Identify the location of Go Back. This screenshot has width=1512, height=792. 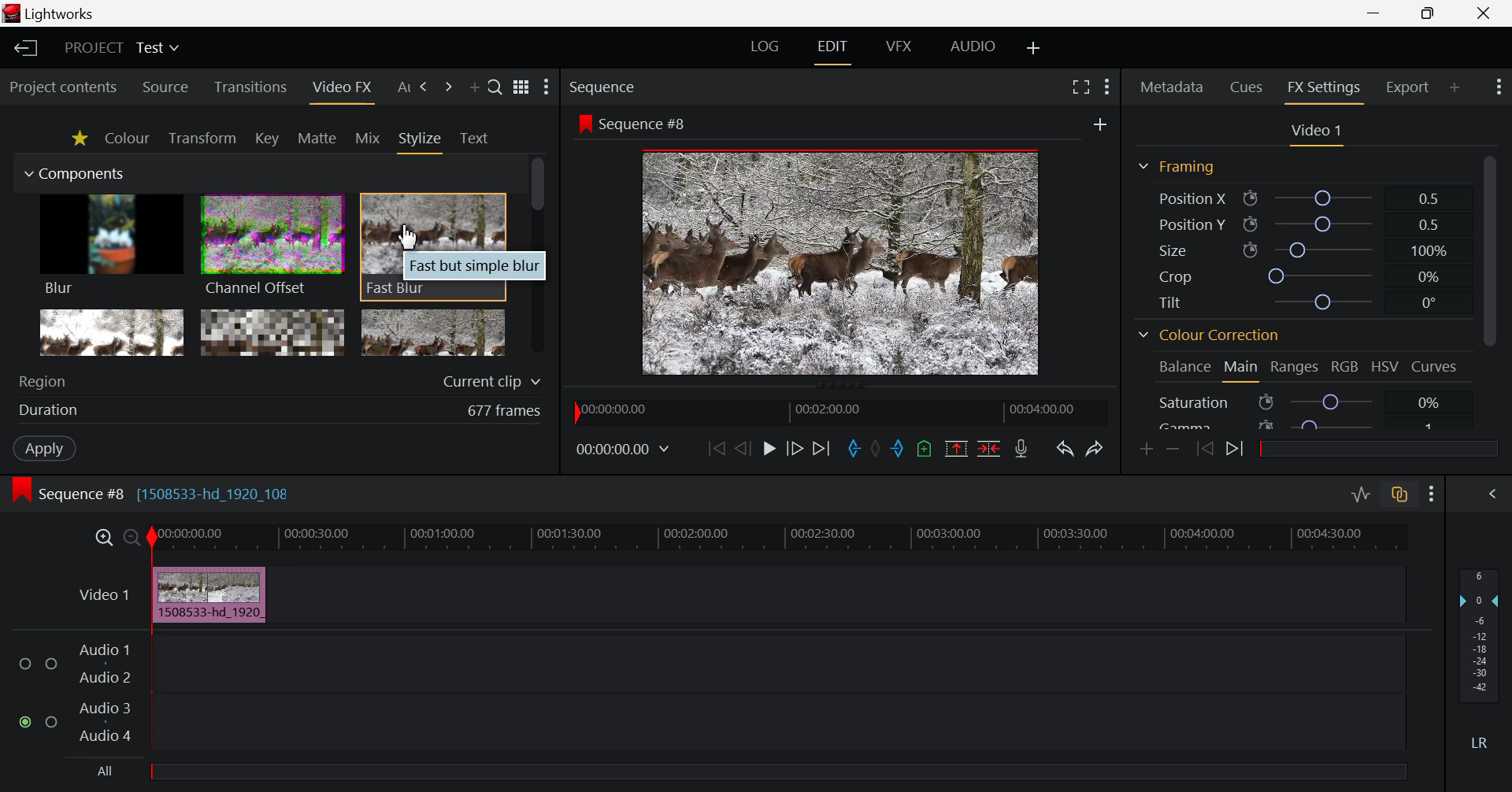
(743, 449).